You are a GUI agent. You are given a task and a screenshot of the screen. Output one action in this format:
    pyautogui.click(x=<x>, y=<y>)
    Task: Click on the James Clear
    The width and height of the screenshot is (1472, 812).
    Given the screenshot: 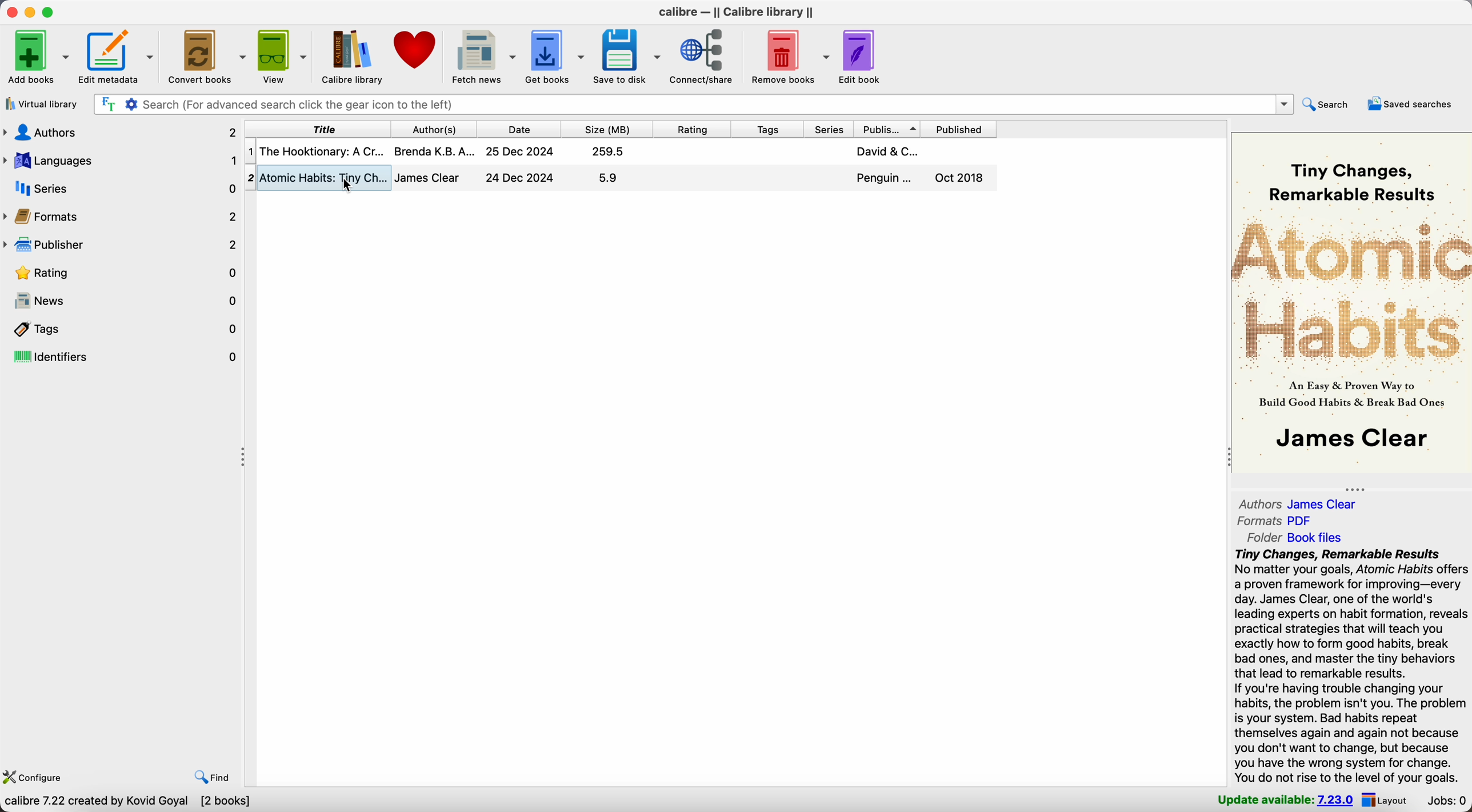 What is the action you would take?
    pyautogui.click(x=428, y=178)
    